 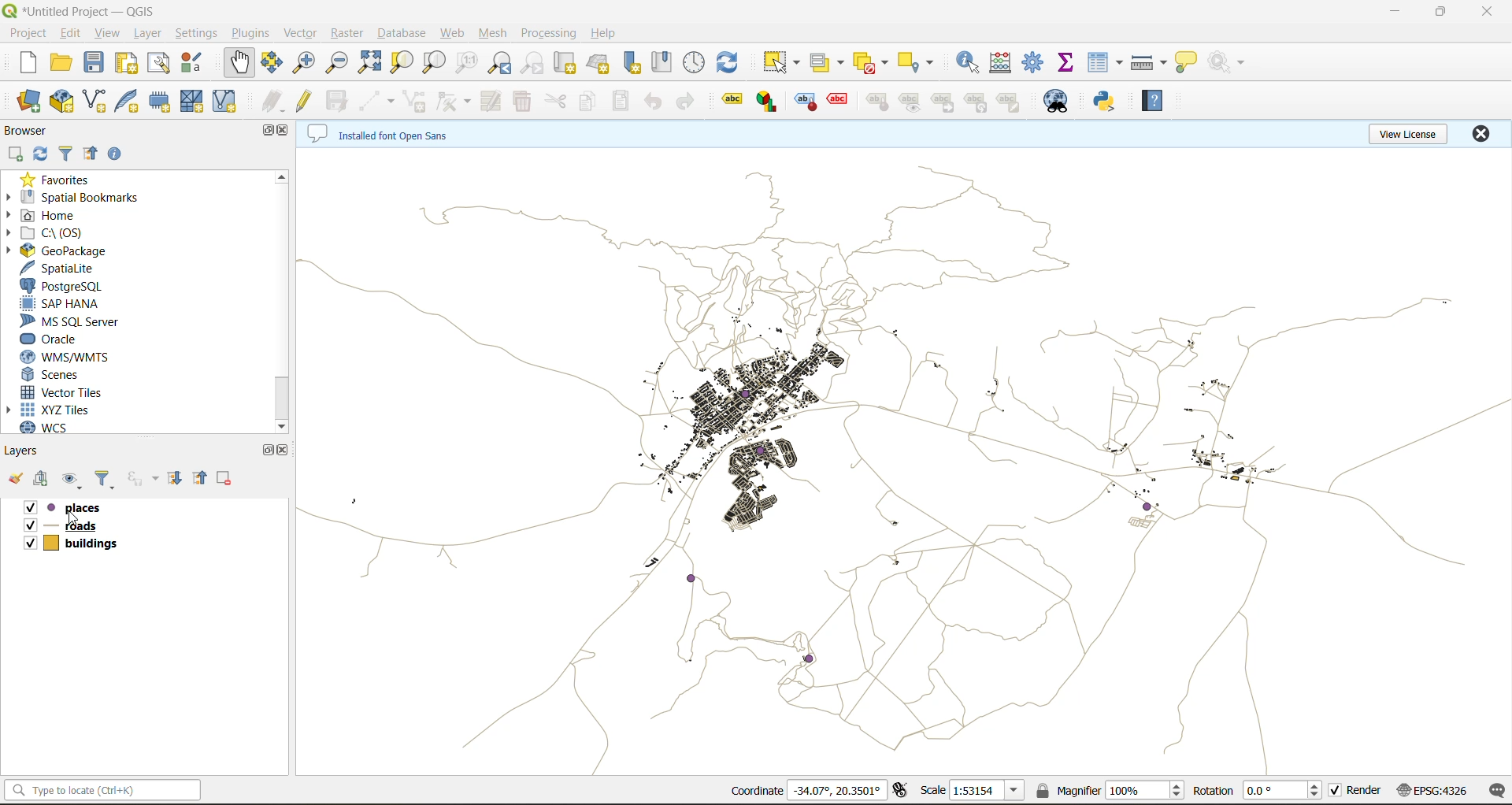 What do you see at coordinates (497, 102) in the screenshot?
I see `modify` at bounding box center [497, 102].